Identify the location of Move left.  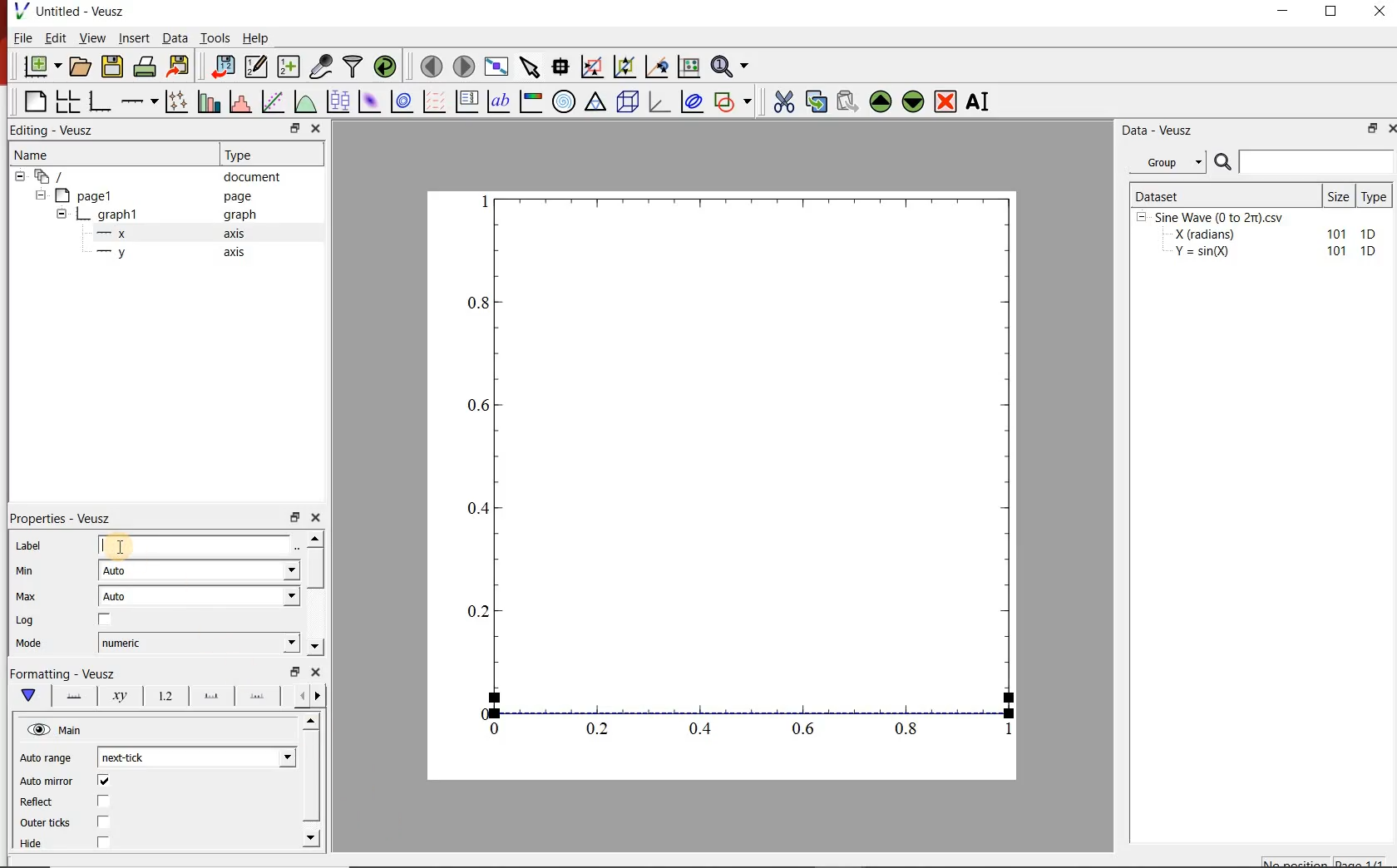
(299, 695).